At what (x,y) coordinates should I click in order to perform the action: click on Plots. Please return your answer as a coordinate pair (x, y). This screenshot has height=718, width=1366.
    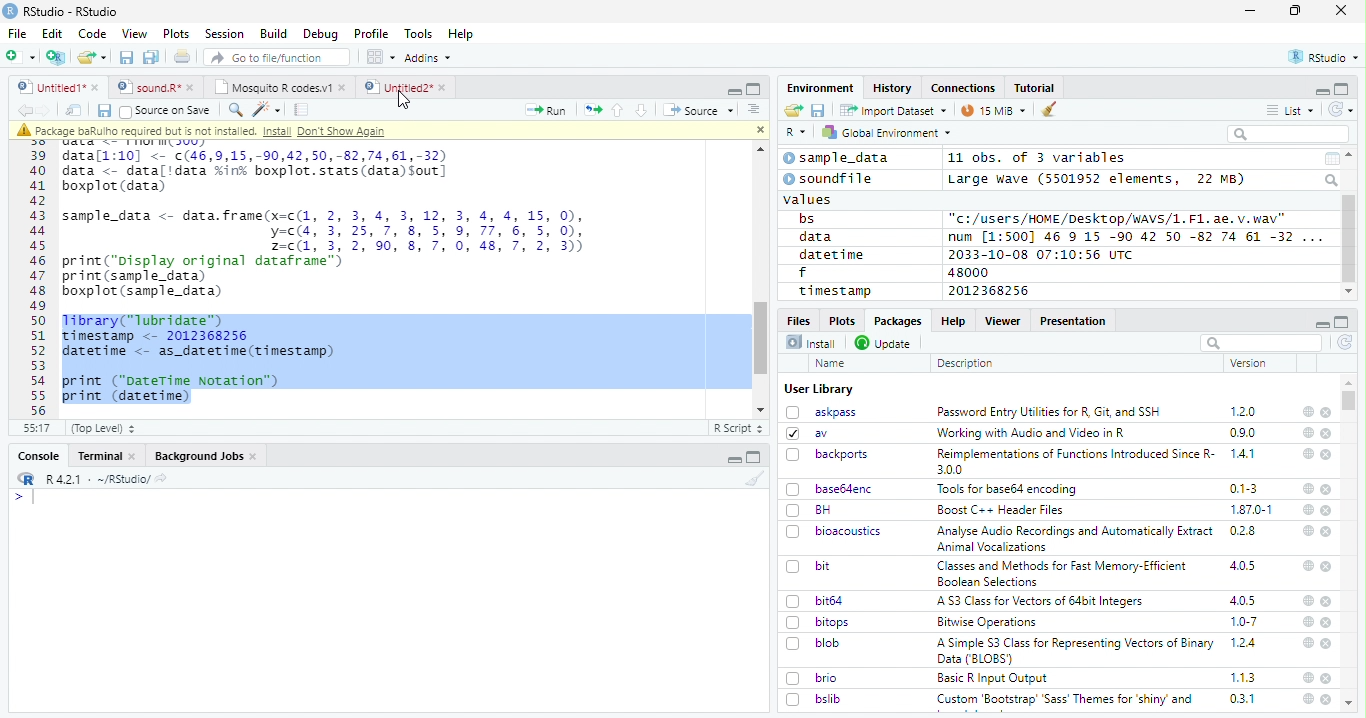
    Looking at the image, I should click on (176, 34).